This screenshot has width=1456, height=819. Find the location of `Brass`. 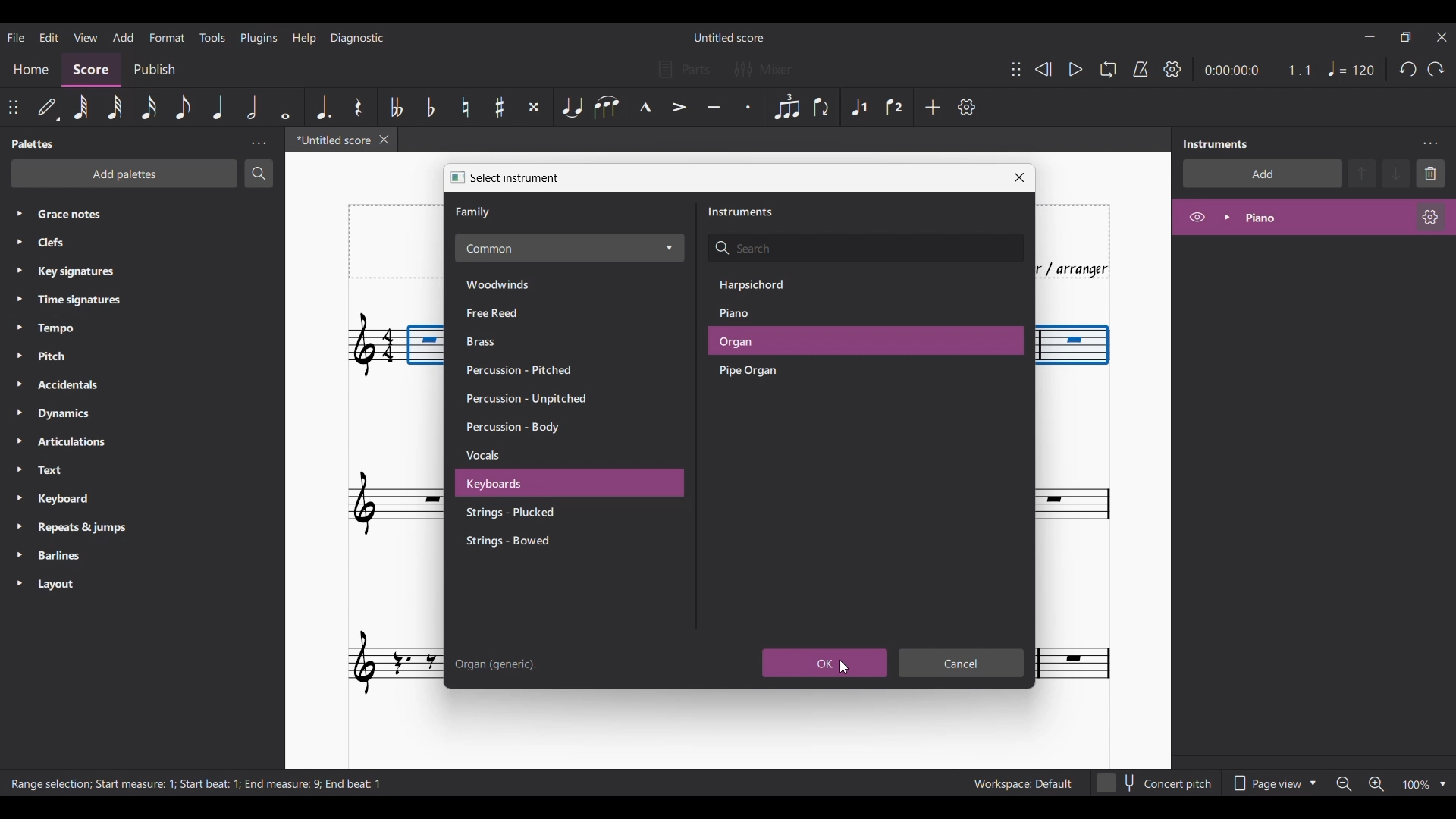

Brass is located at coordinates (513, 342).